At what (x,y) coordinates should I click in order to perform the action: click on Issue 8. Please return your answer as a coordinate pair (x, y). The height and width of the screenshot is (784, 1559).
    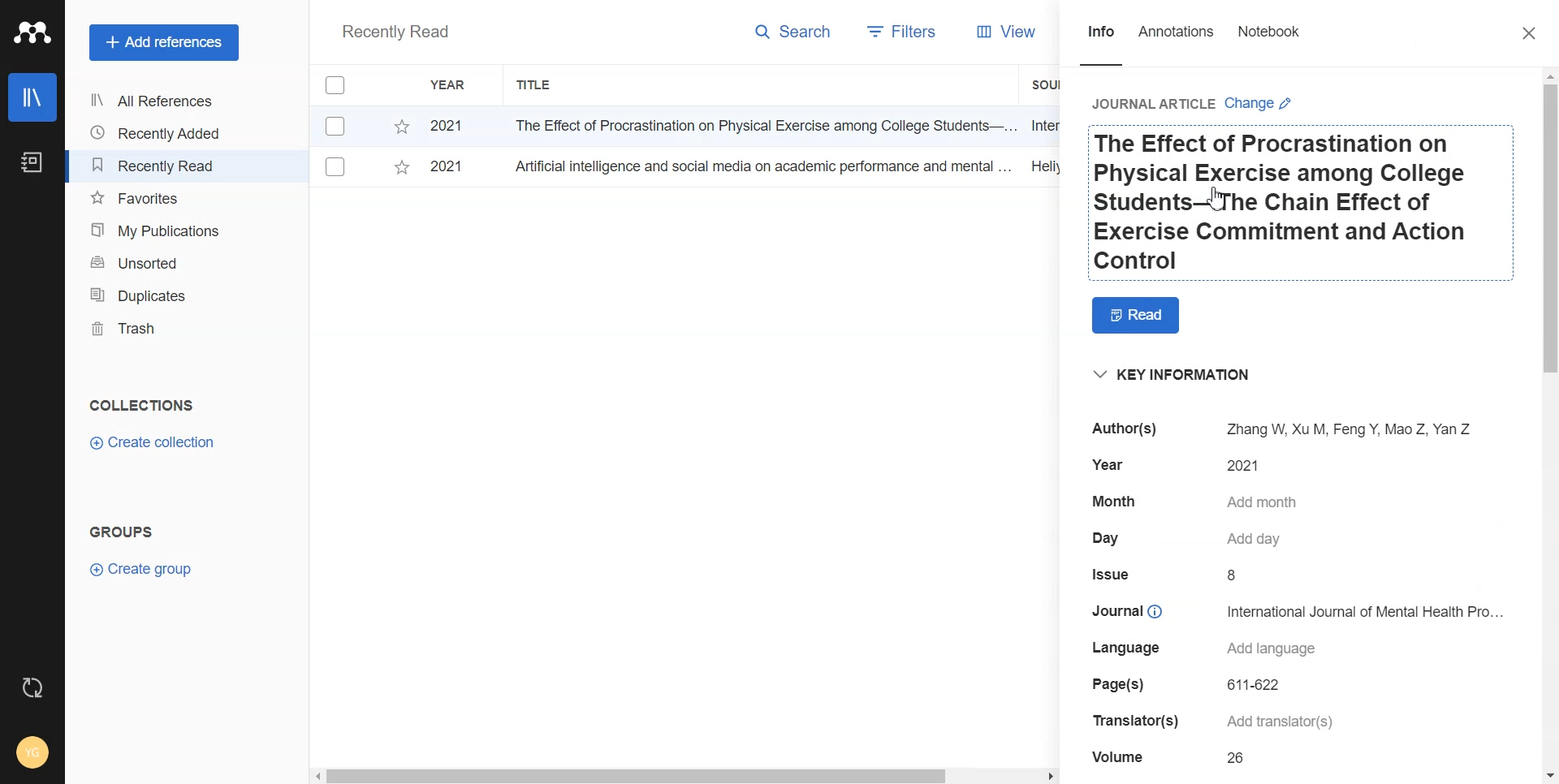
    Looking at the image, I should click on (1186, 576).